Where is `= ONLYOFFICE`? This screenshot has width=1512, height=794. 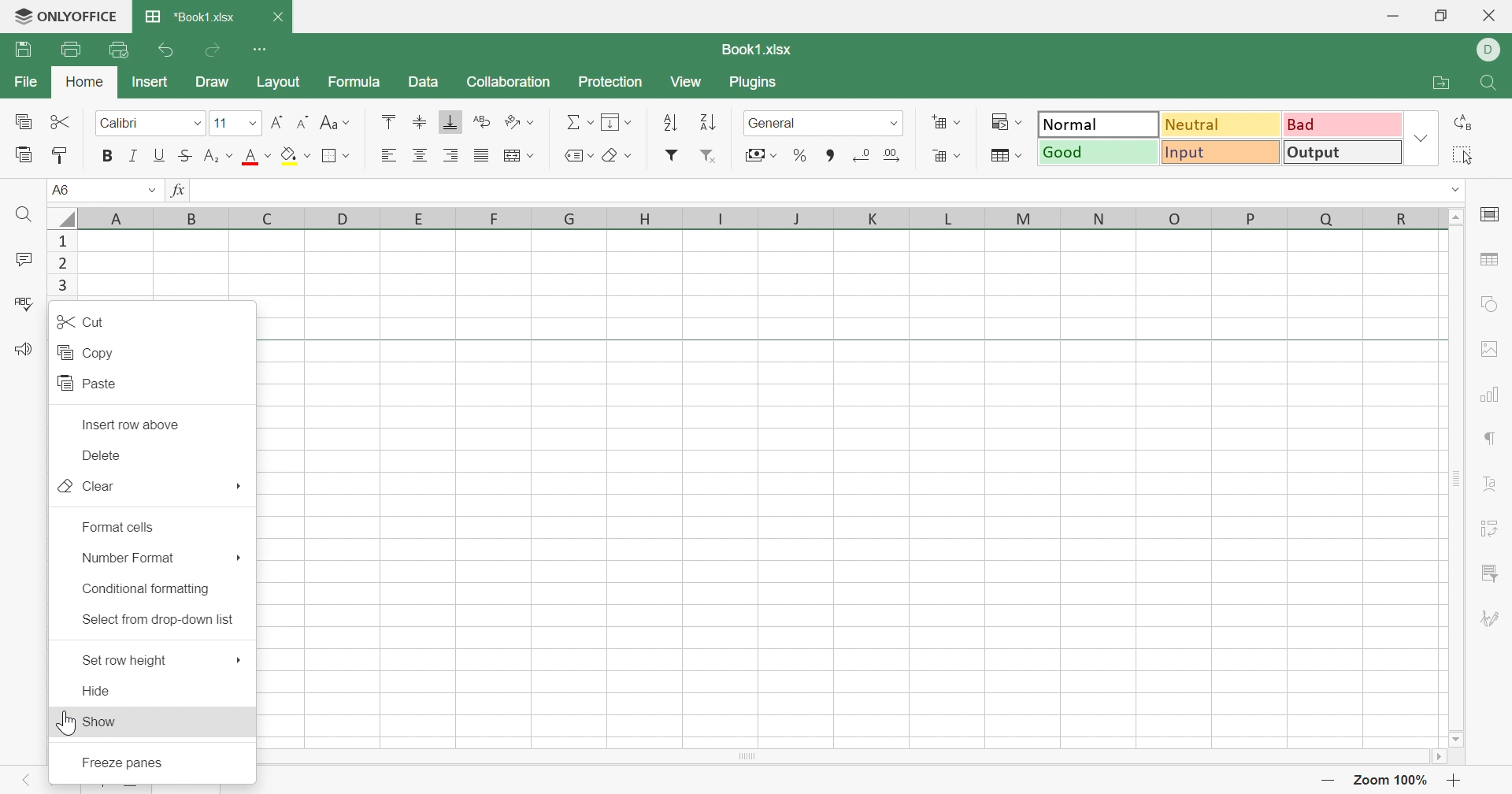
= ONLYOFFICE is located at coordinates (69, 17).